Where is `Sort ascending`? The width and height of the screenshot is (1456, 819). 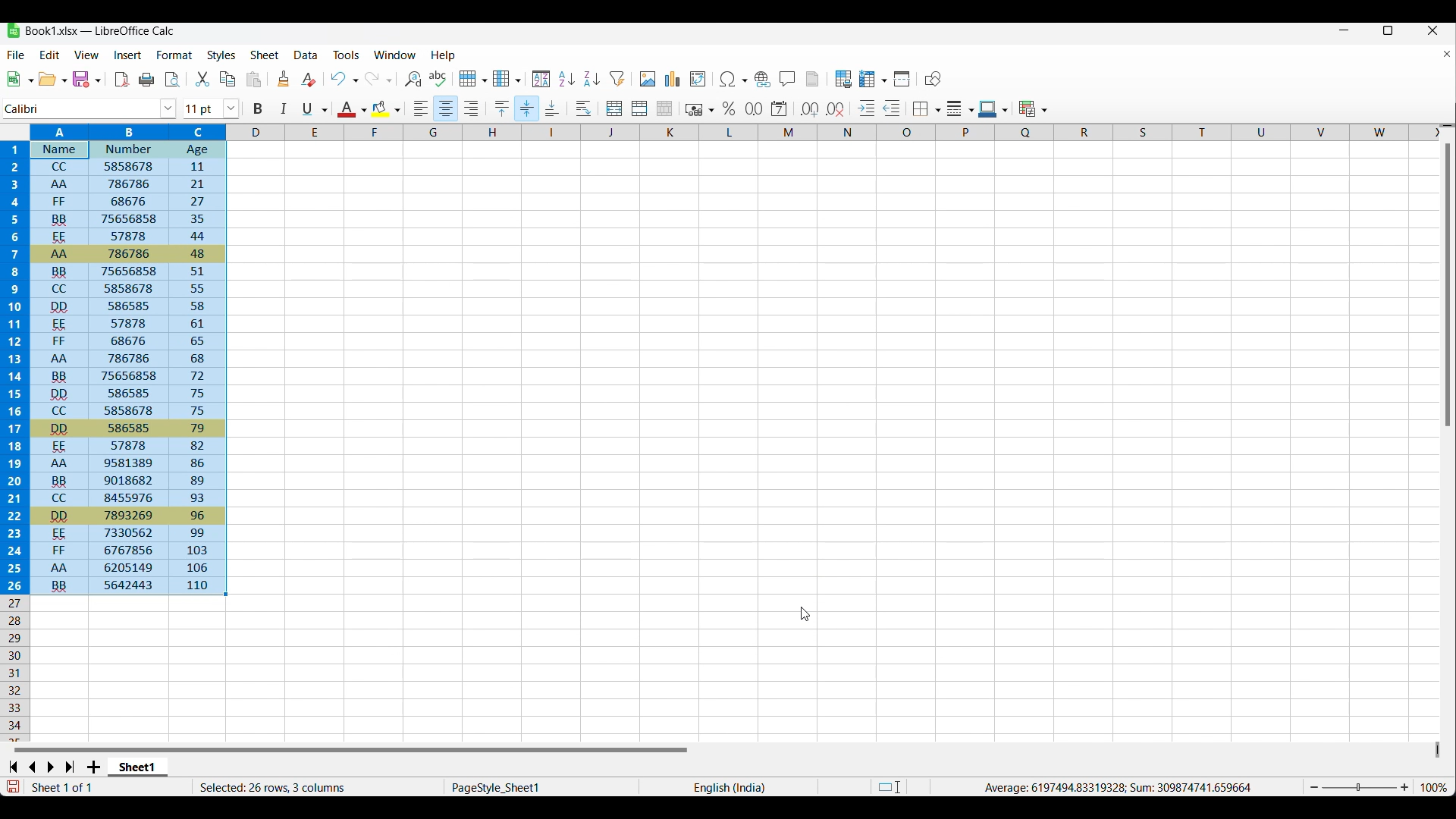
Sort ascending is located at coordinates (567, 79).